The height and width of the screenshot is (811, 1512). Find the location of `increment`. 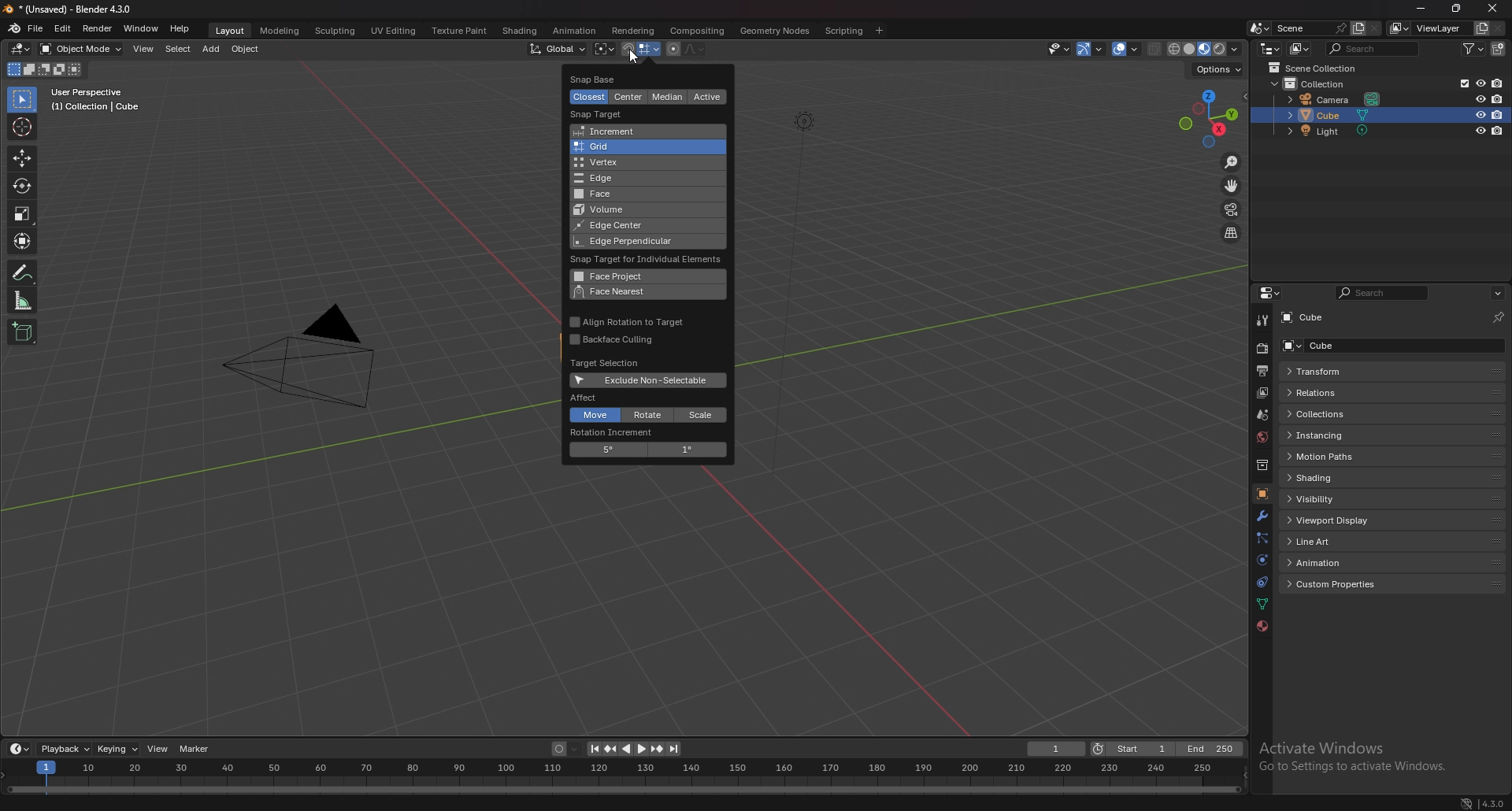

increment is located at coordinates (638, 131).